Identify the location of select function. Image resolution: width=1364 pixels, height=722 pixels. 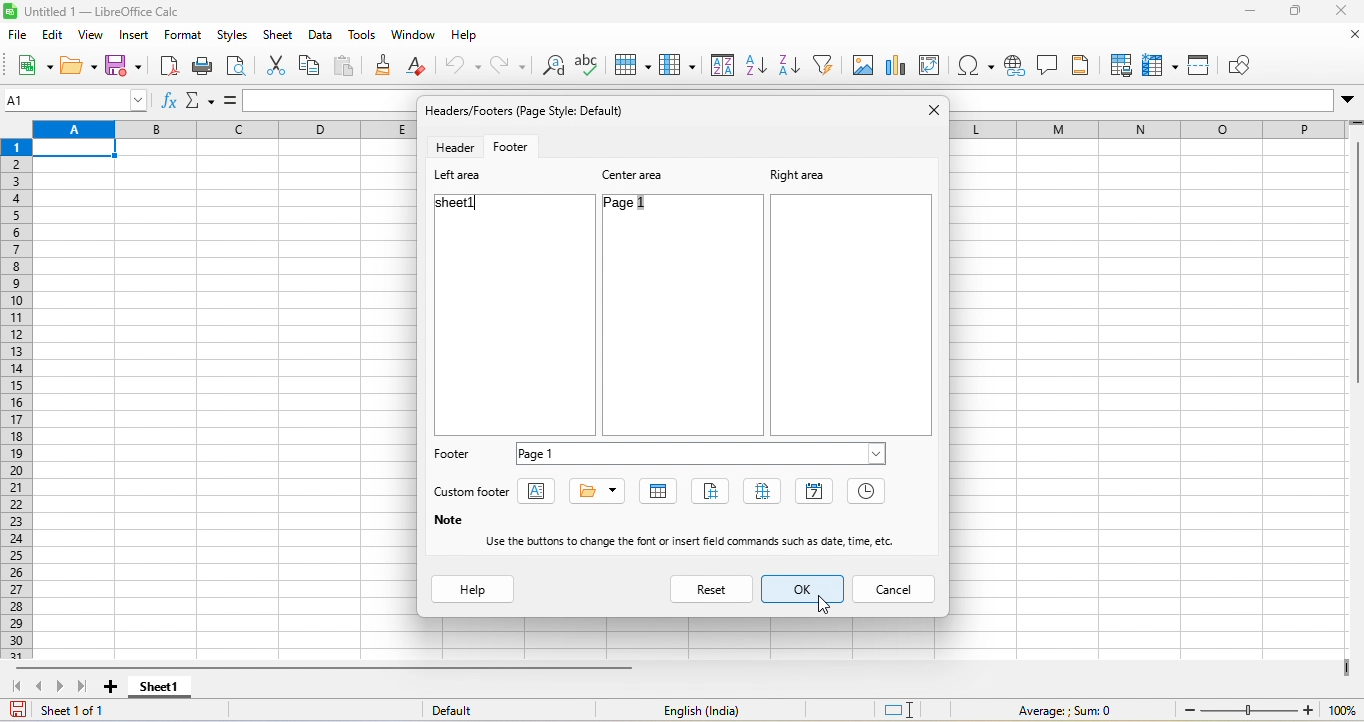
(203, 101).